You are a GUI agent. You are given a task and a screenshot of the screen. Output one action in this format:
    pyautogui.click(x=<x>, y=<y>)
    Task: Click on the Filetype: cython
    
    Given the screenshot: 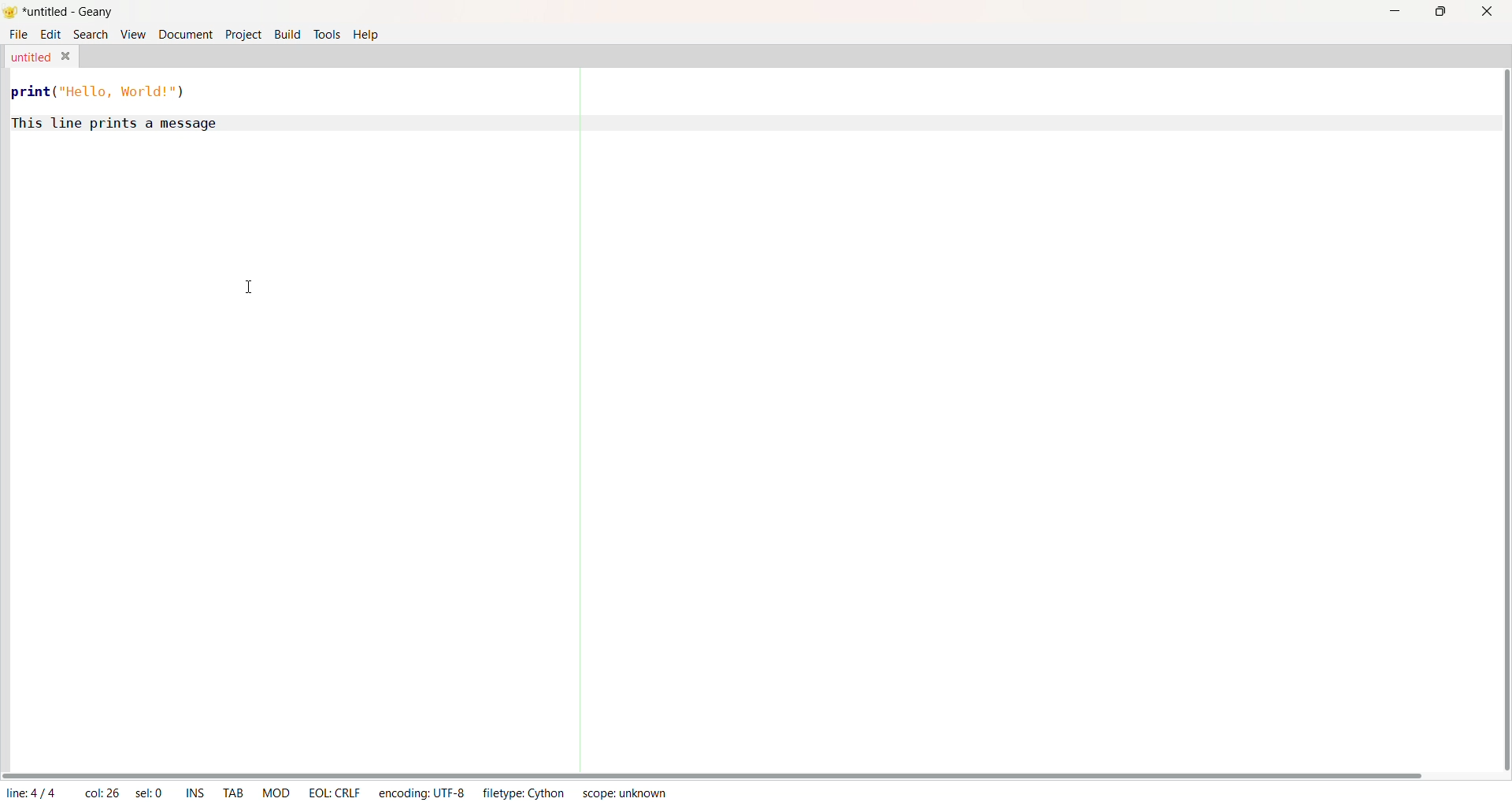 What is the action you would take?
    pyautogui.click(x=526, y=793)
    